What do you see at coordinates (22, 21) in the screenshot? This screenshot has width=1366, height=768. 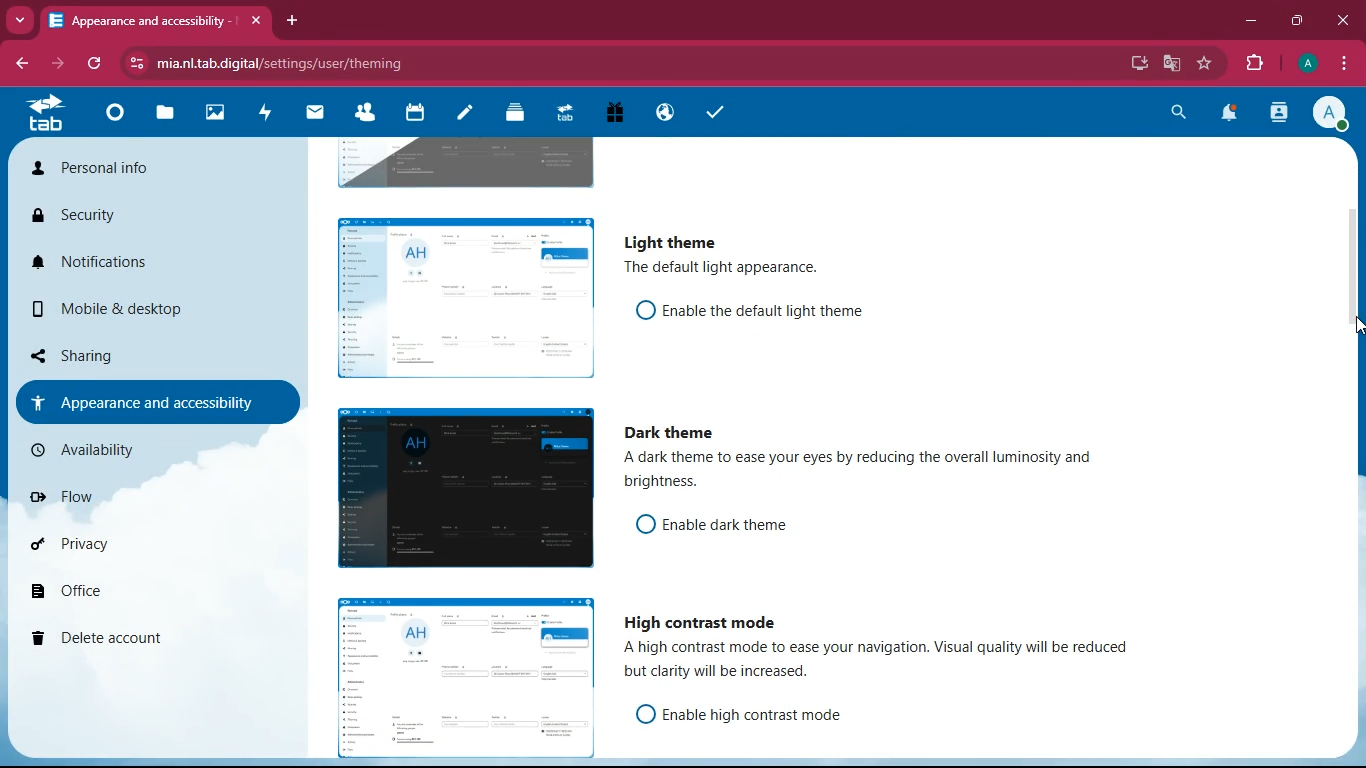 I see `more` at bounding box center [22, 21].